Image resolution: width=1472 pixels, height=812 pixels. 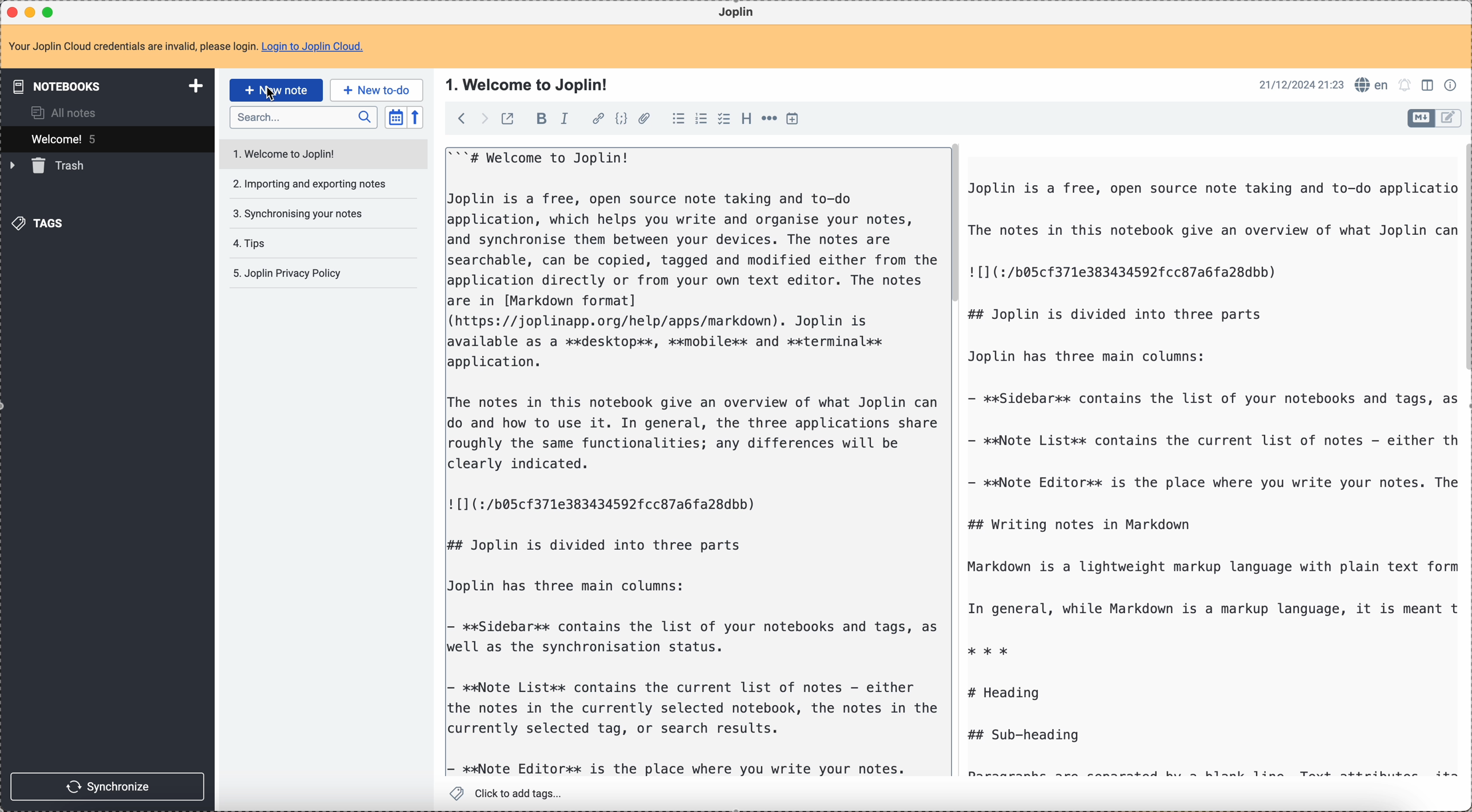 What do you see at coordinates (508, 118) in the screenshot?
I see `toggle external editing` at bounding box center [508, 118].